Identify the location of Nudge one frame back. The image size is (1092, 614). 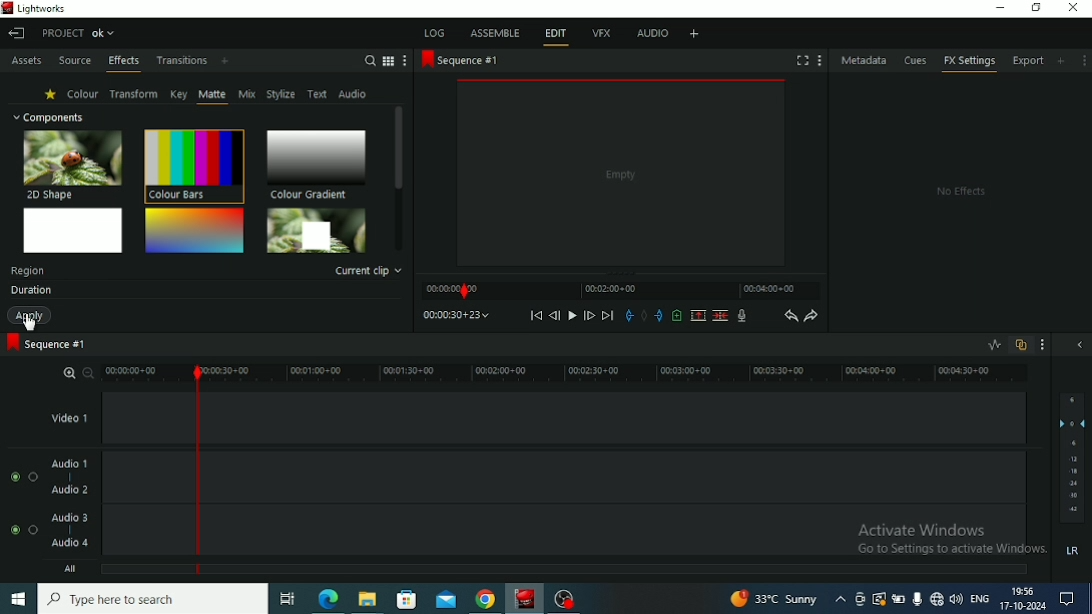
(555, 316).